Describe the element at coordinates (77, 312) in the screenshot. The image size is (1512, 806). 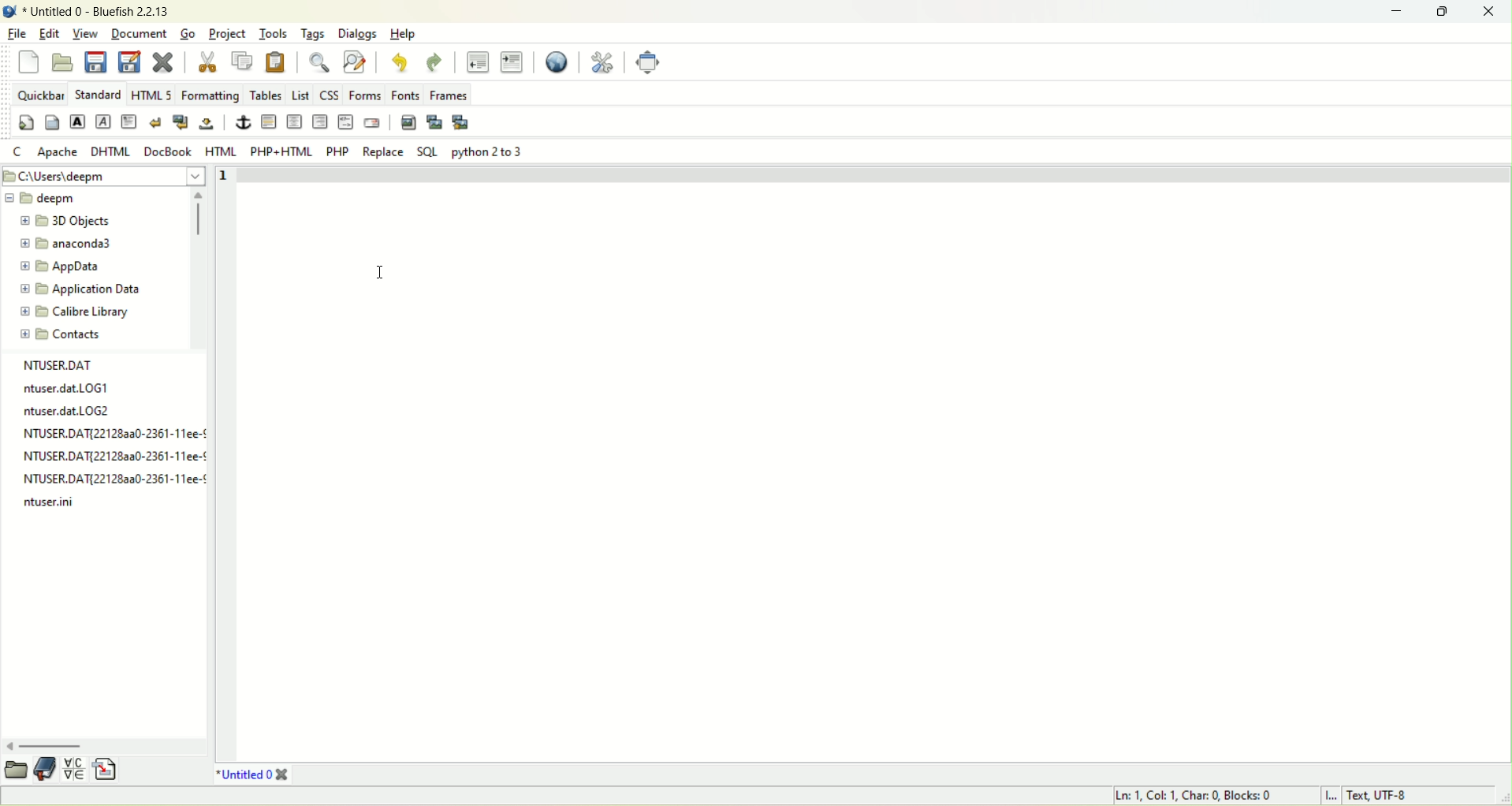
I see `folder name` at that location.